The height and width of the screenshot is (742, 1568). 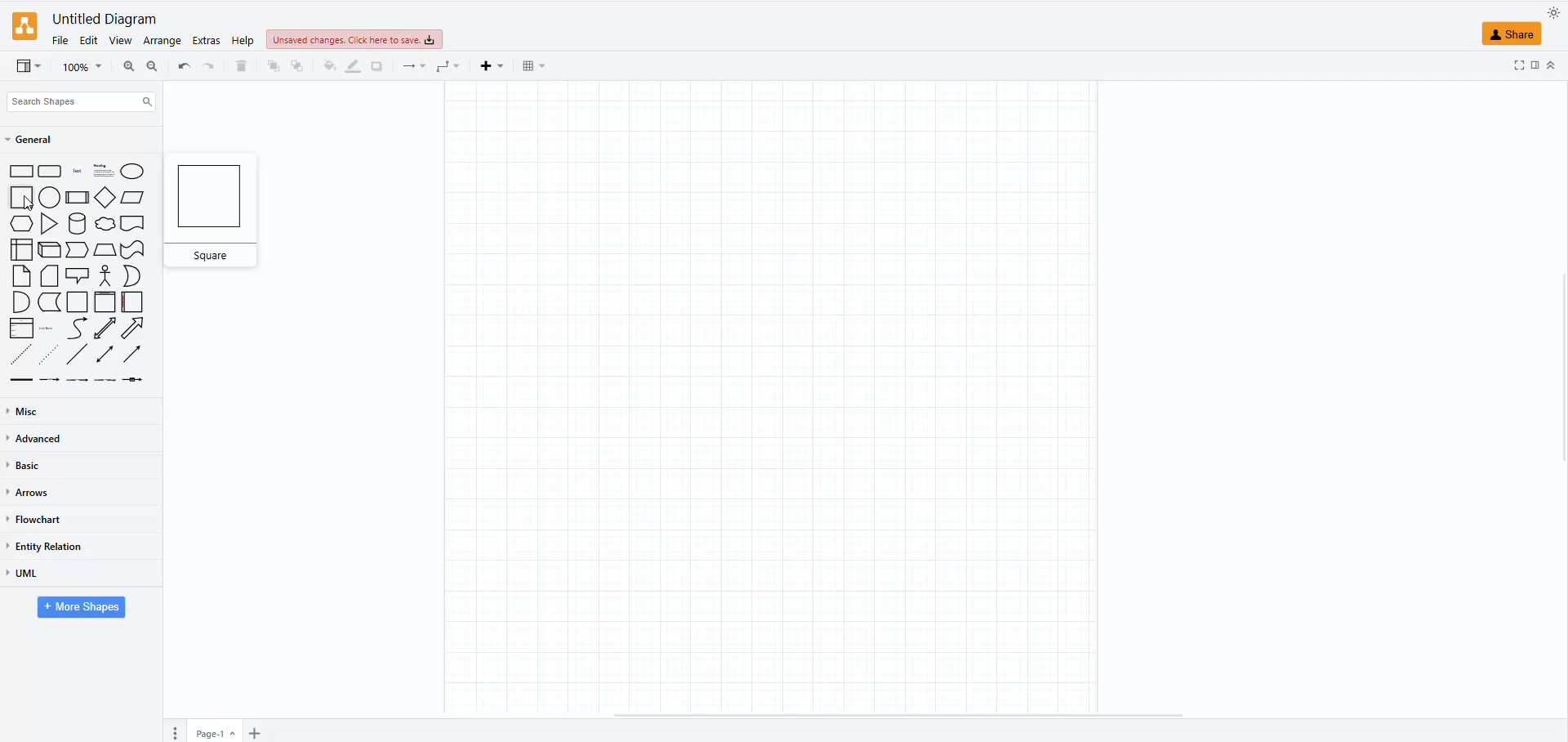 What do you see at coordinates (49, 251) in the screenshot?
I see `cube` at bounding box center [49, 251].